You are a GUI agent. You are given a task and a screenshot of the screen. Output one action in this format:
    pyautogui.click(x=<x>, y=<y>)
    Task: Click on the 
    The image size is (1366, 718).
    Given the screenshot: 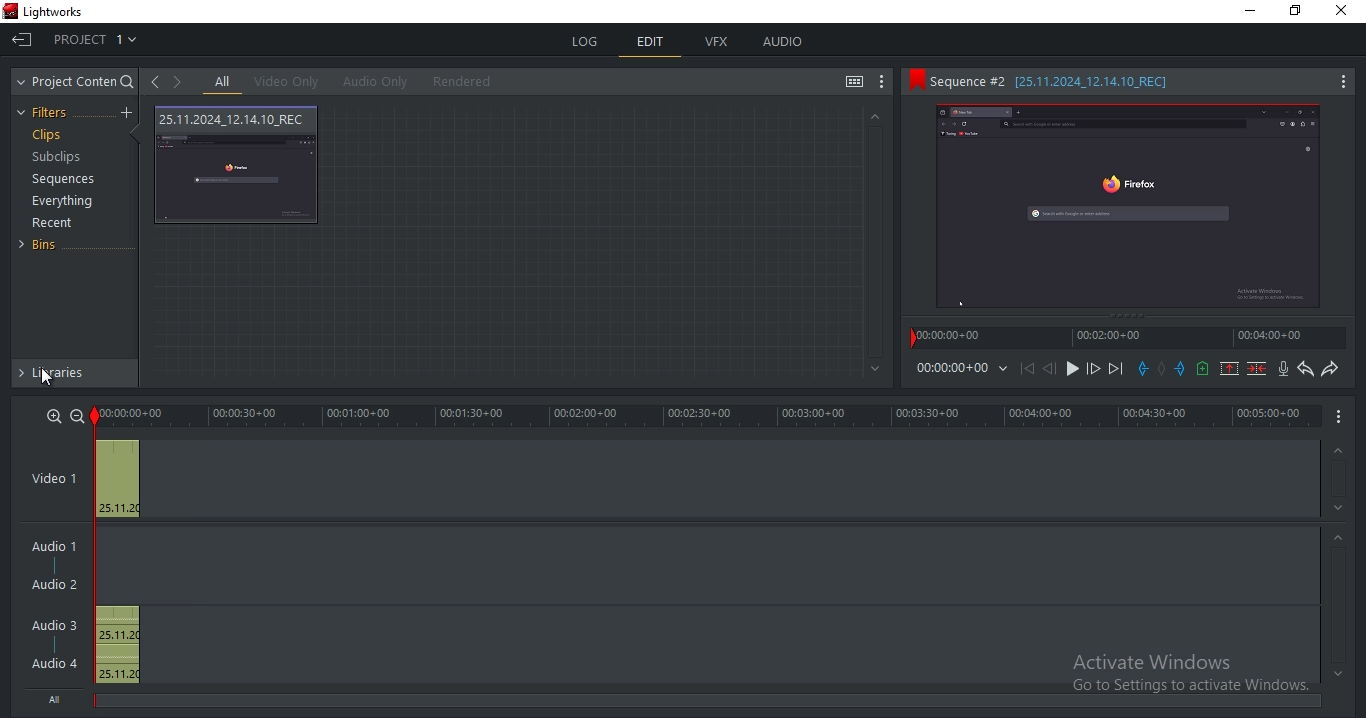 What is the action you would take?
    pyautogui.click(x=1041, y=370)
    